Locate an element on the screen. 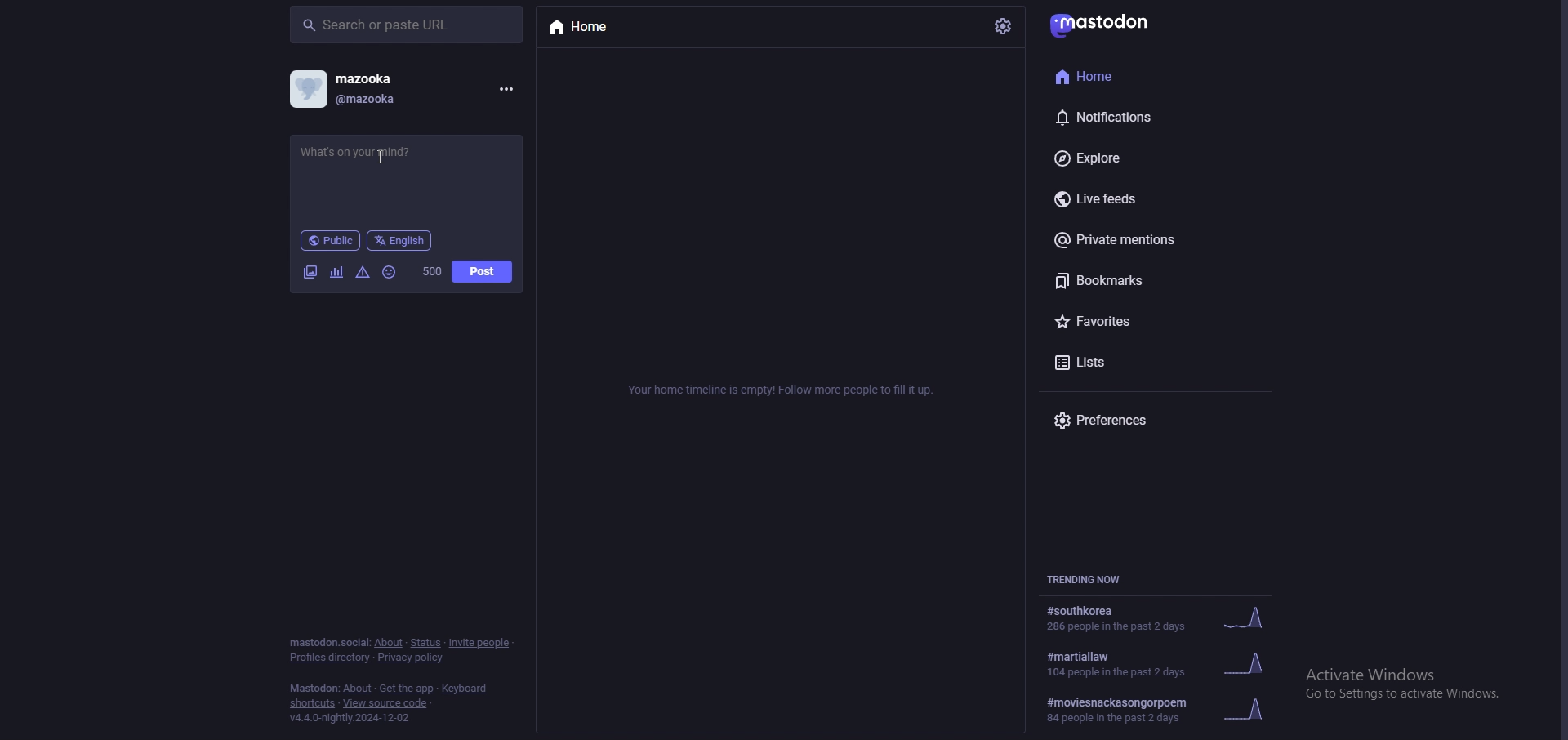  home is located at coordinates (598, 29).